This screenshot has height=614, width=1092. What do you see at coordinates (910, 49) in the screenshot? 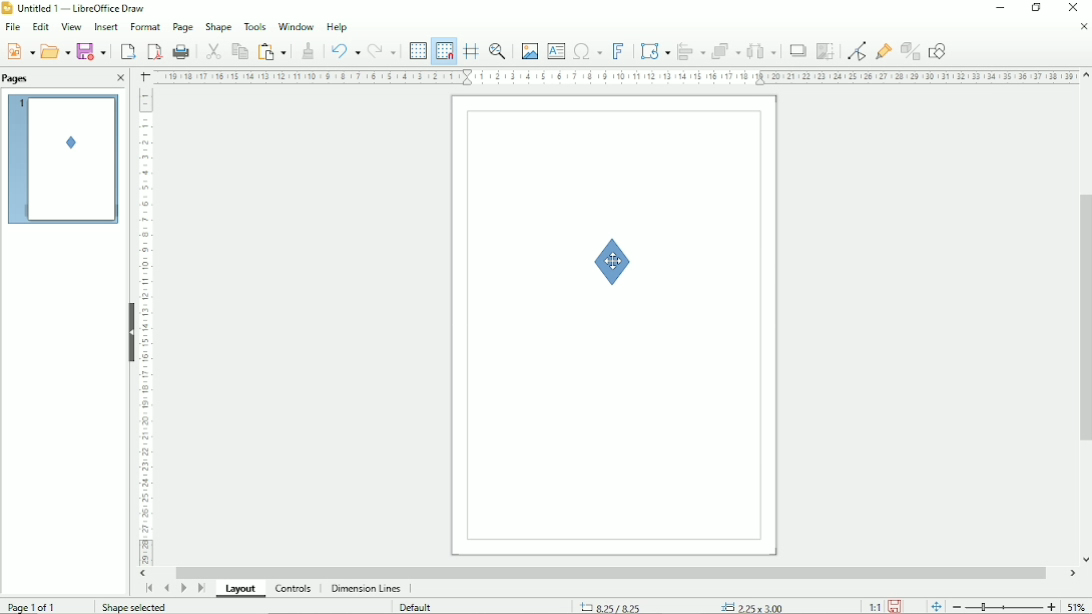
I see `Toggle extrusion` at bounding box center [910, 49].